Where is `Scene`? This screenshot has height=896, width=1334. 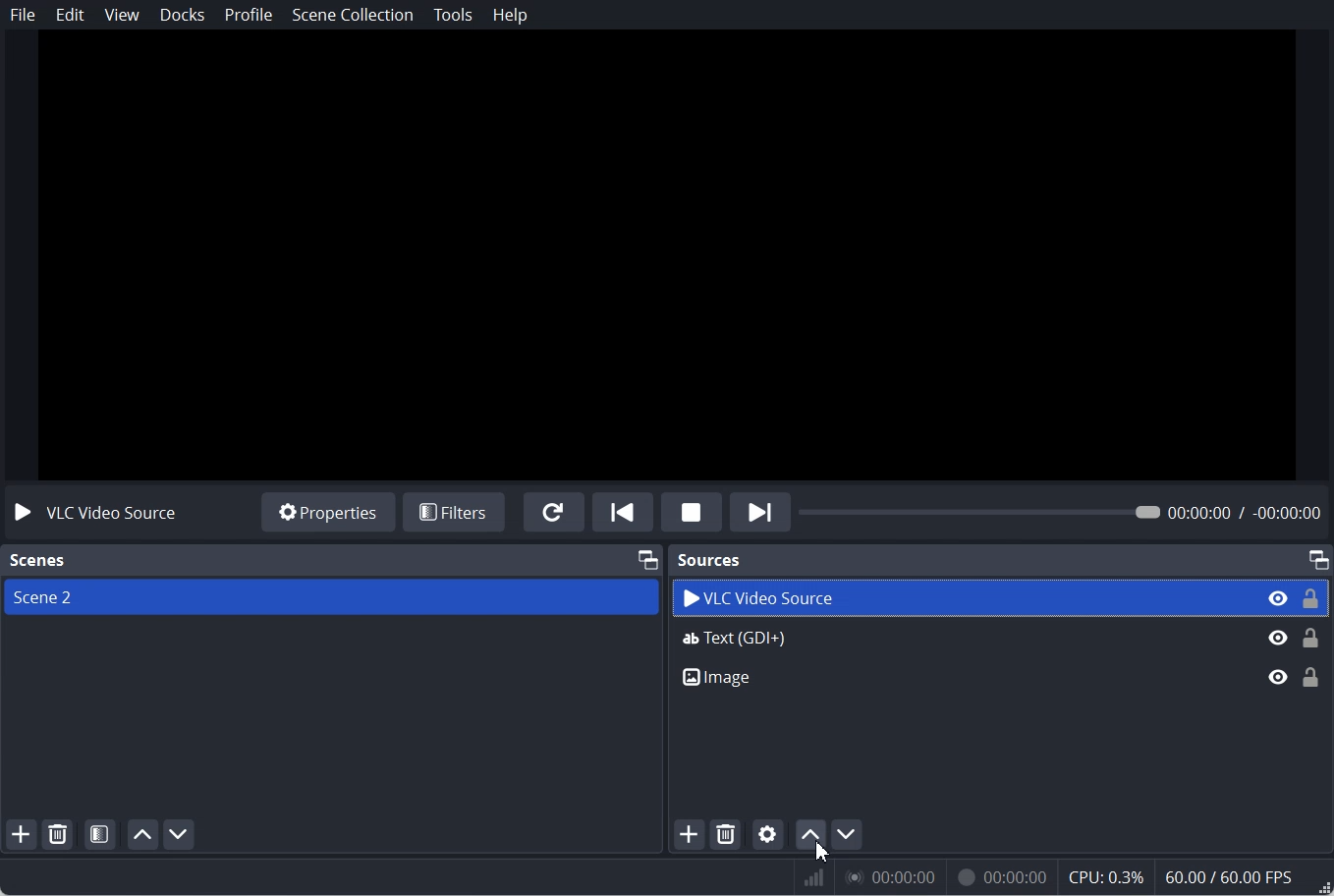
Scene is located at coordinates (330, 596).